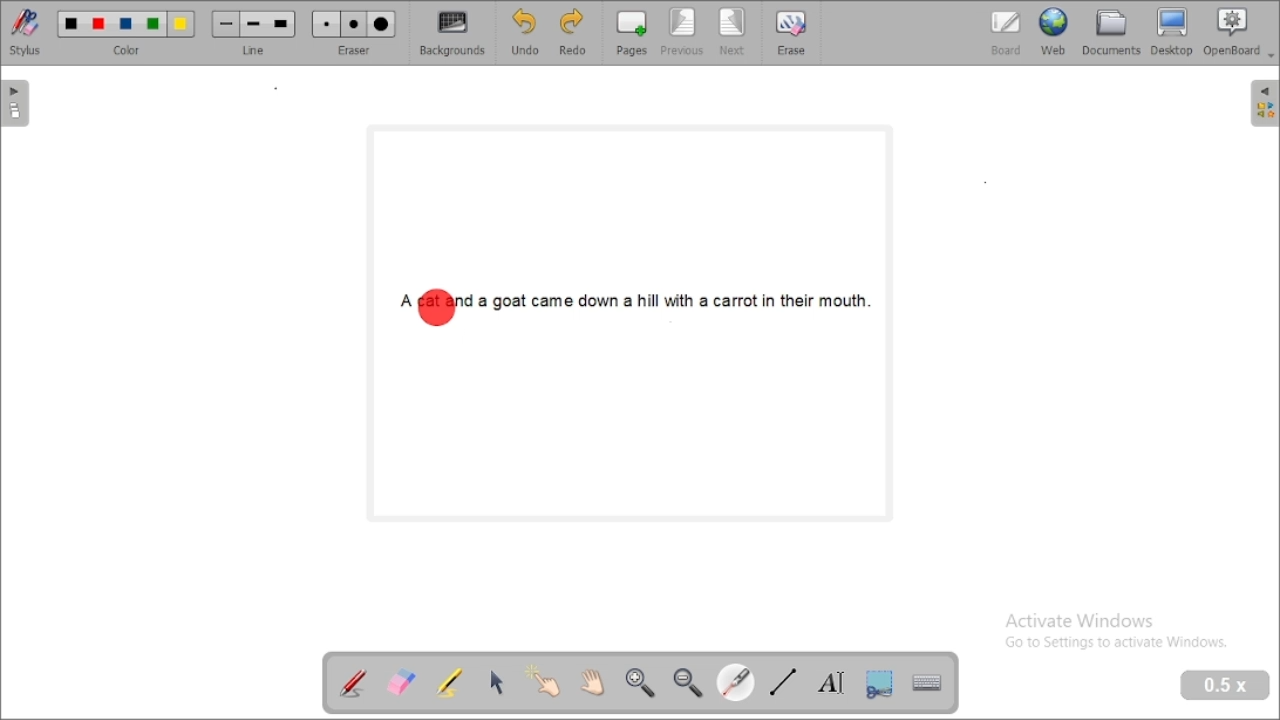 Image resolution: width=1280 pixels, height=720 pixels. What do you see at coordinates (688, 684) in the screenshot?
I see `zoom out` at bounding box center [688, 684].